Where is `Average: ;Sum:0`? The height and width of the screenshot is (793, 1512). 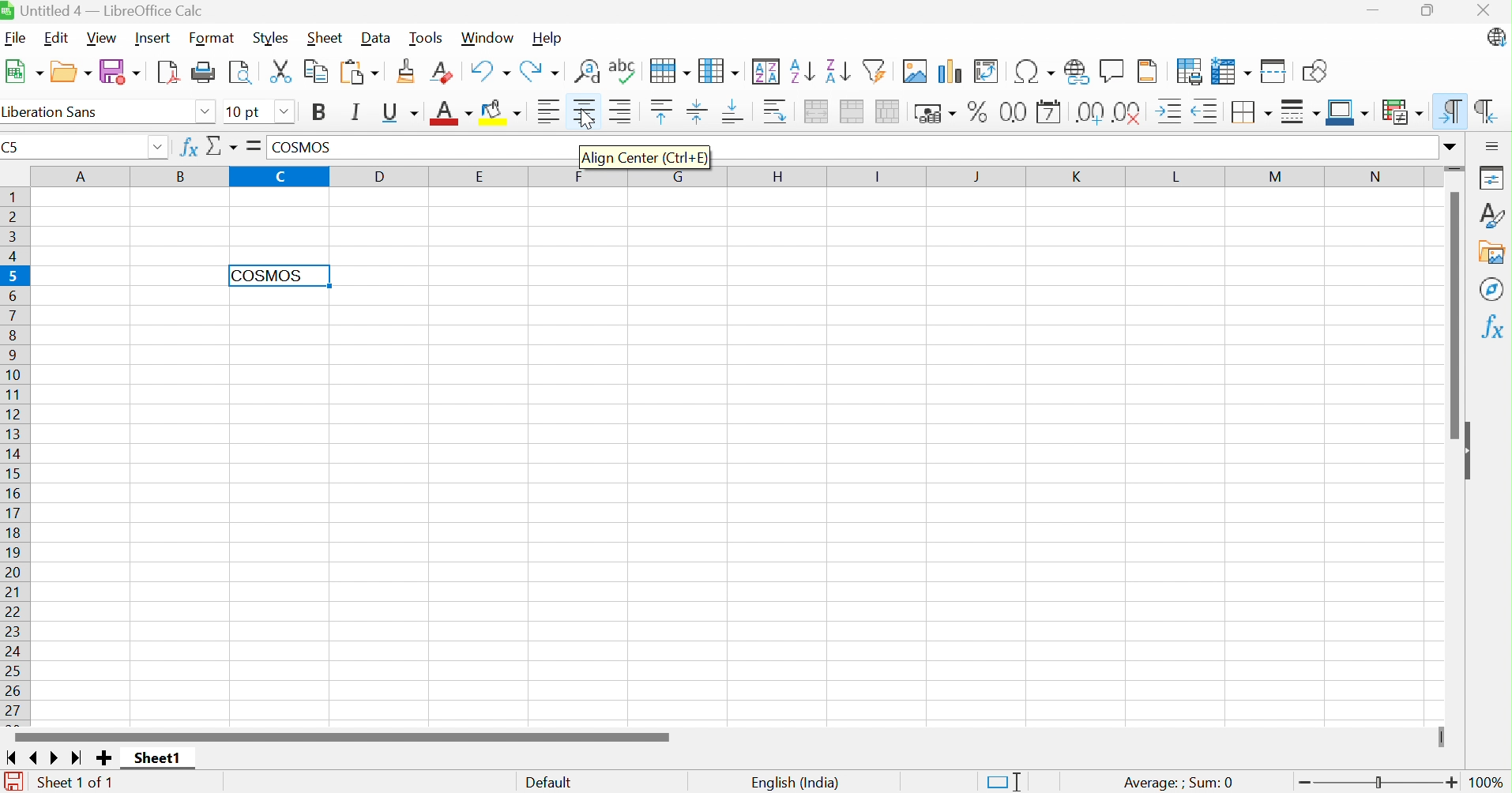 Average: ;Sum:0 is located at coordinates (1178, 784).